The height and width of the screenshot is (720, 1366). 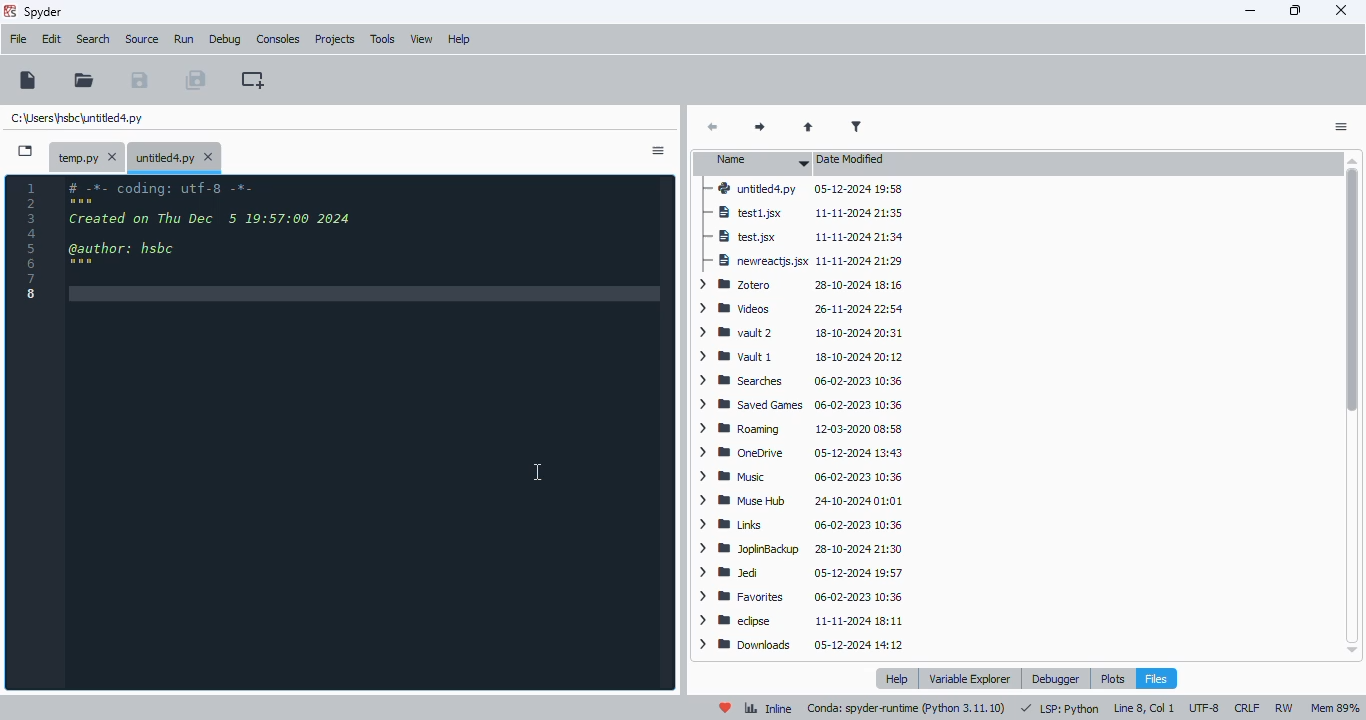 I want to click on inline, so click(x=768, y=709).